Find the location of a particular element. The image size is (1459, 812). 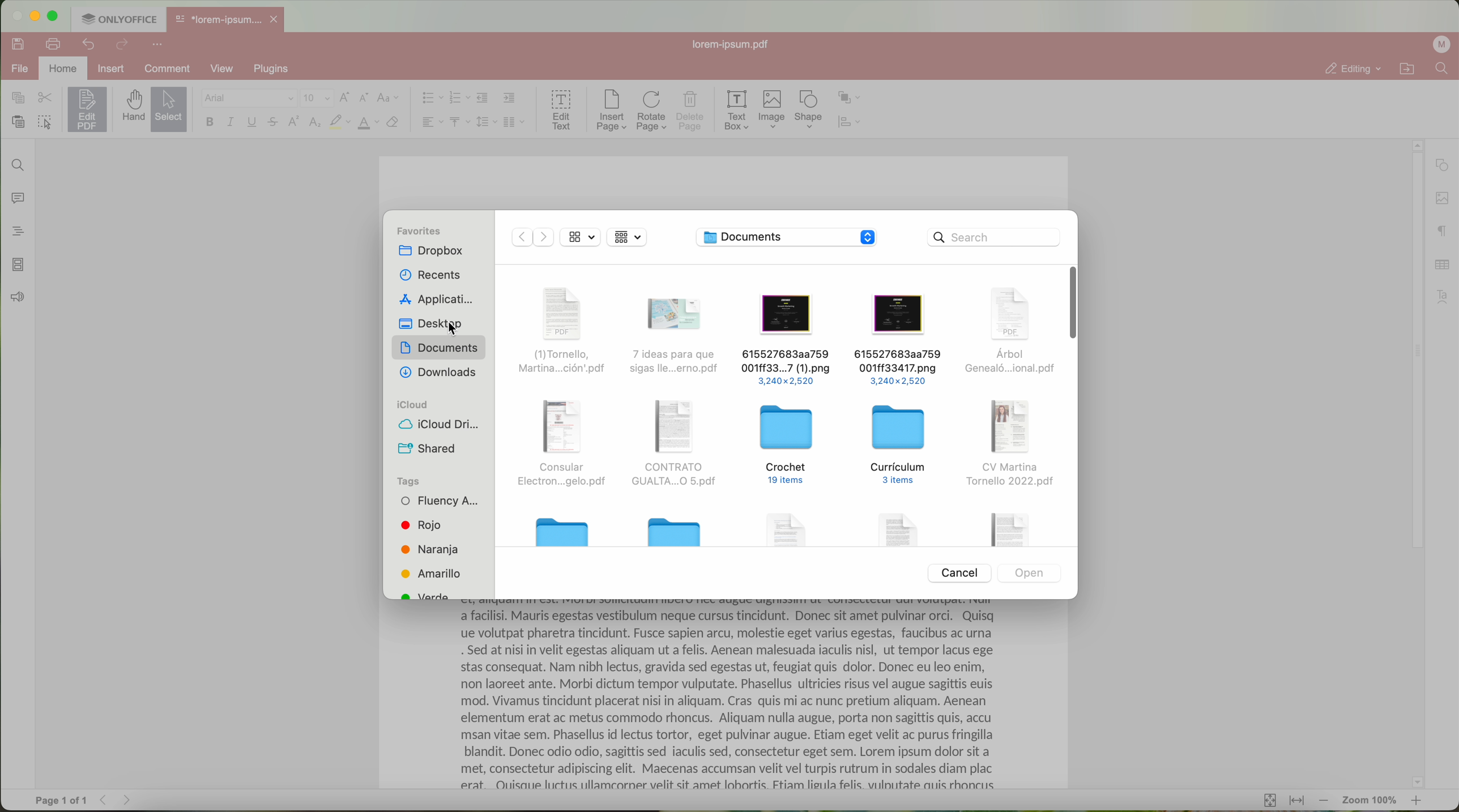

image settings is located at coordinates (1442, 199).